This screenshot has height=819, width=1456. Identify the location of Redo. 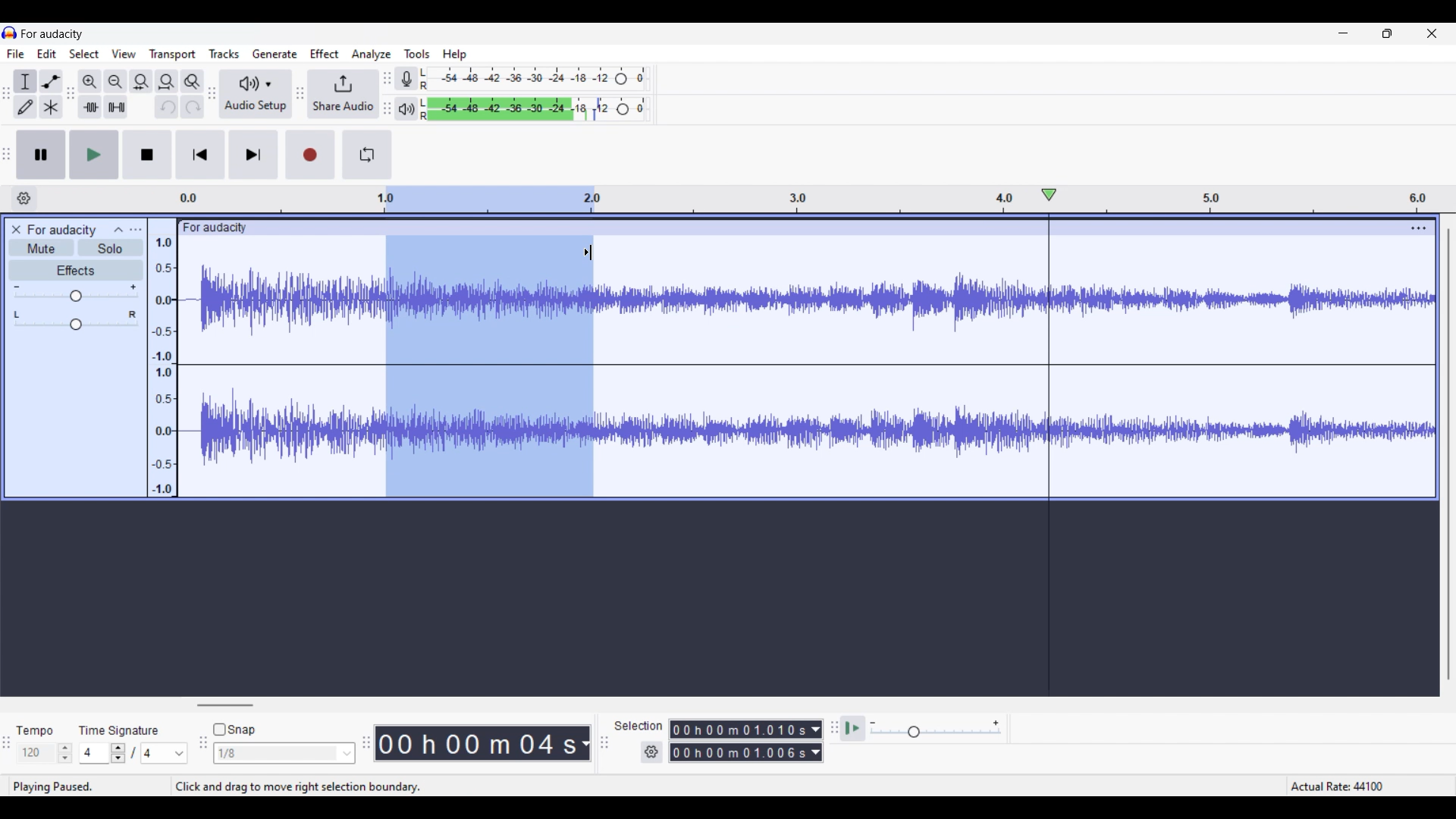
(193, 107).